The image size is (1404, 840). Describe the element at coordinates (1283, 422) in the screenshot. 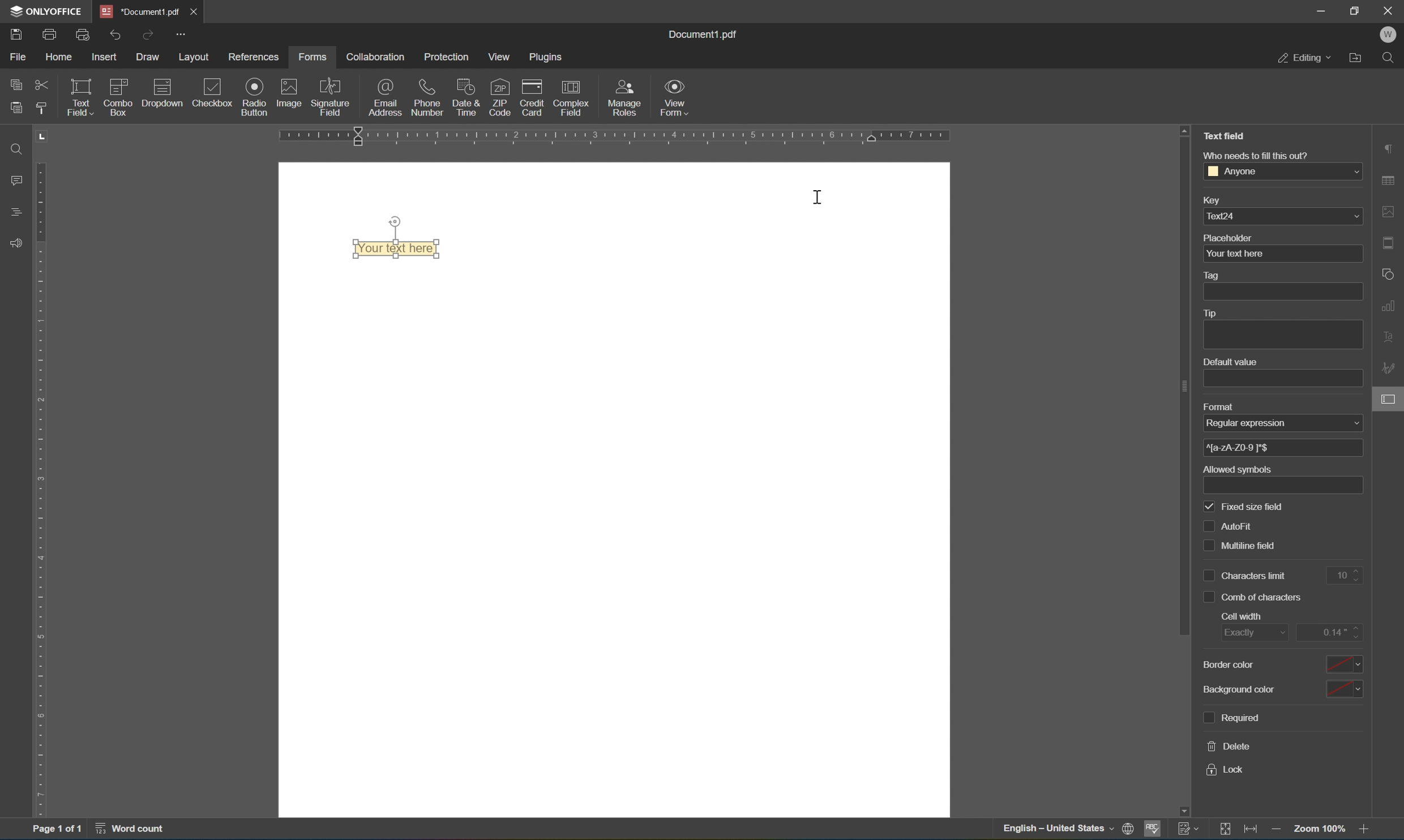

I see `regular expression` at that location.